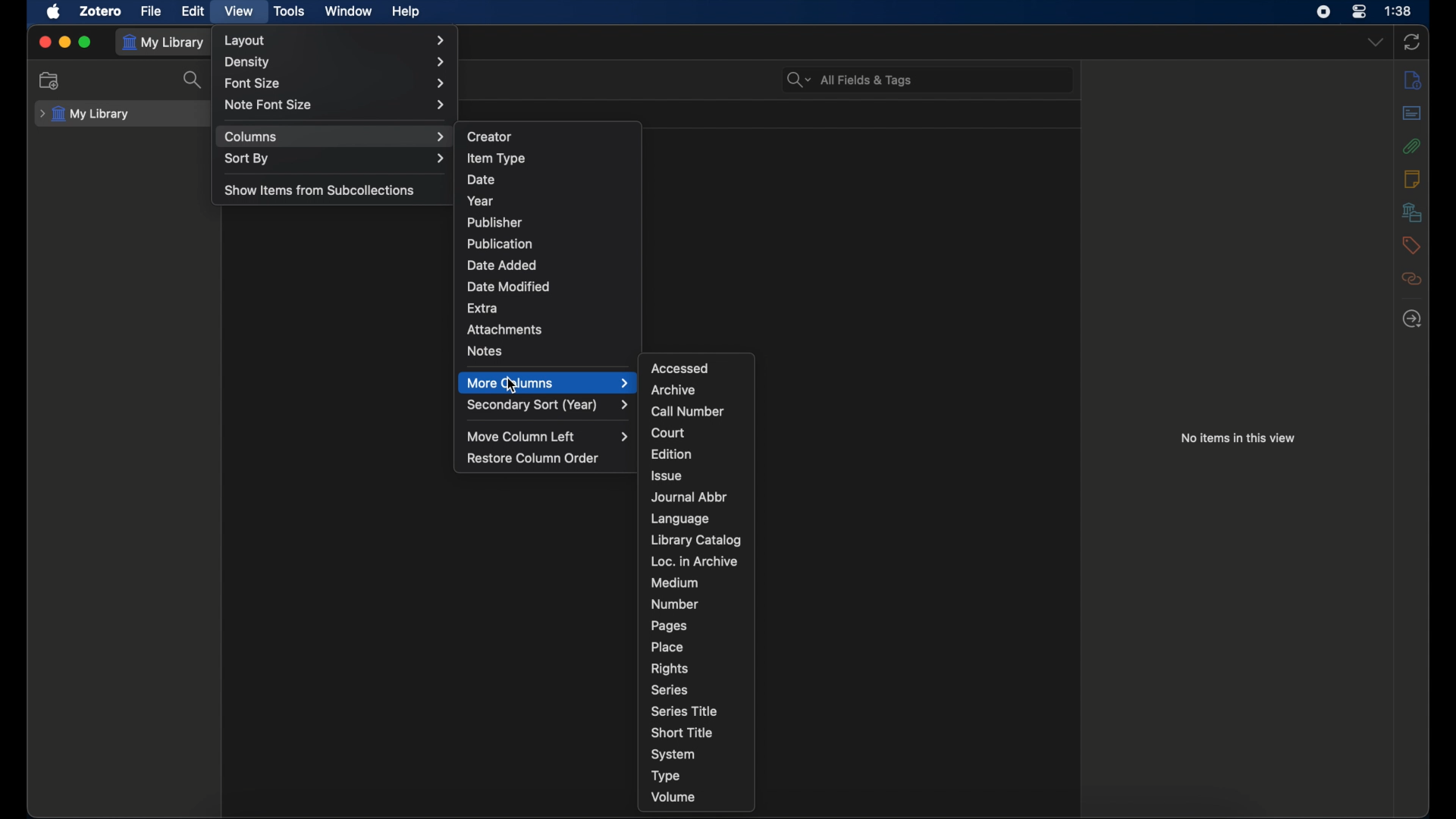  I want to click on series, so click(670, 690).